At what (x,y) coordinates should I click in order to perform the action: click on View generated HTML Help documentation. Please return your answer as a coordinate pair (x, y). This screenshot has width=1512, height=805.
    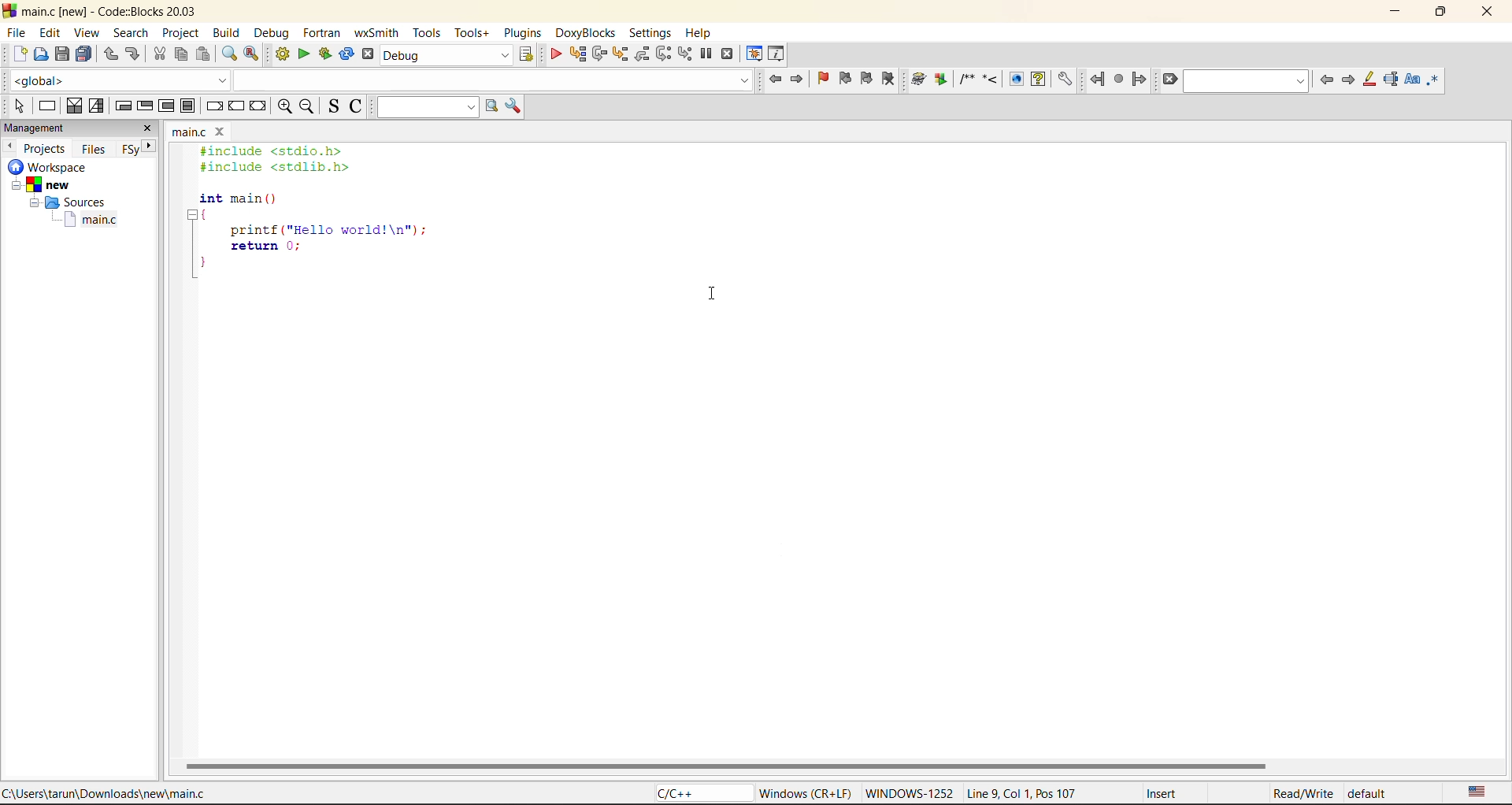
    Looking at the image, I should click on (1038, 78).